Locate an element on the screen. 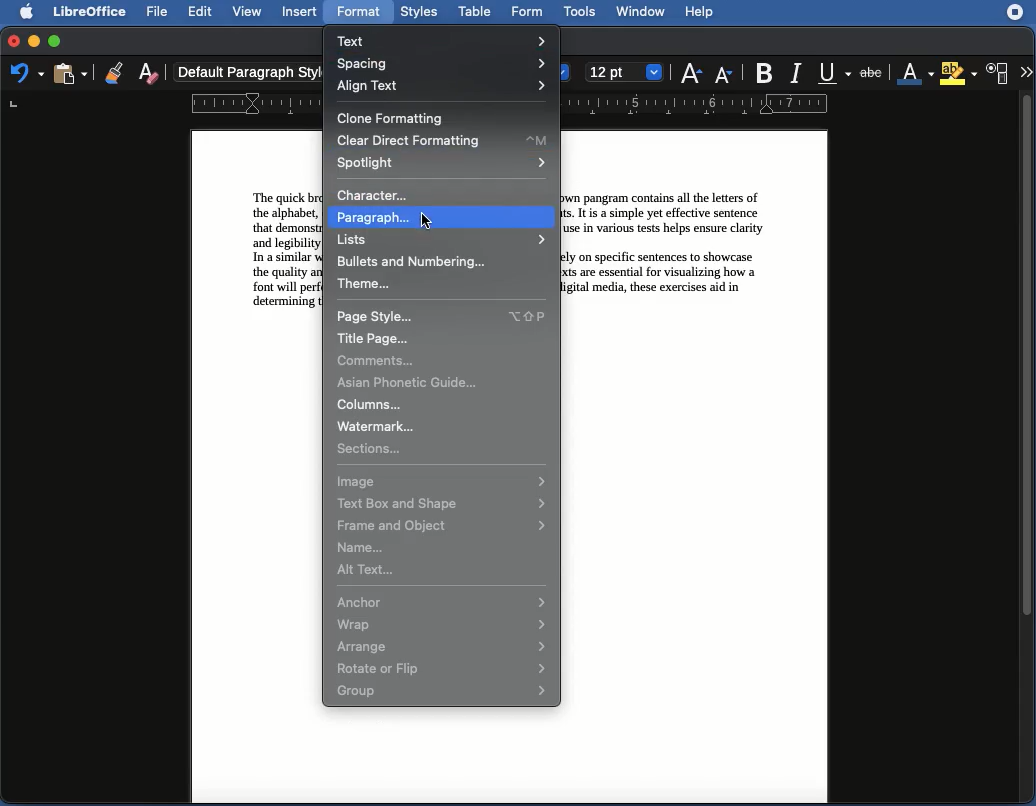 This screenshot has height=806, width=1036. Clear  is located at coordinates (149, 72).